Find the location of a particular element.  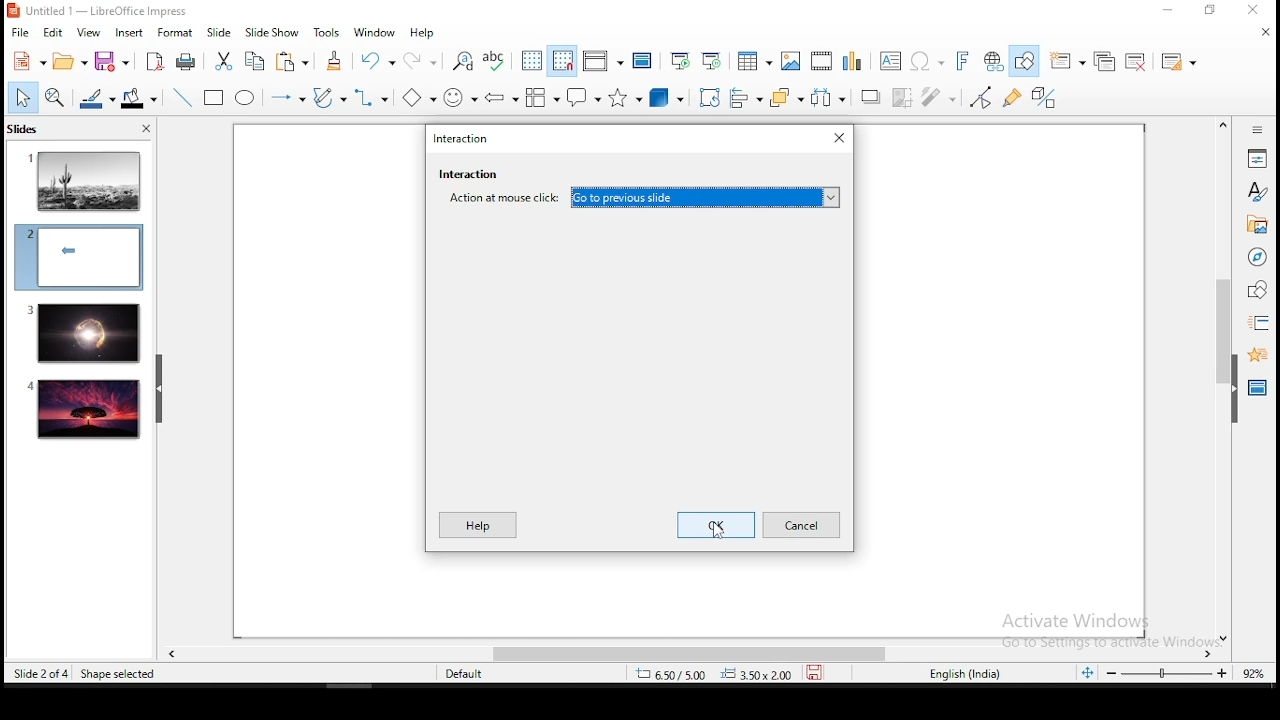

styles is located at coordinates (1257, 191).